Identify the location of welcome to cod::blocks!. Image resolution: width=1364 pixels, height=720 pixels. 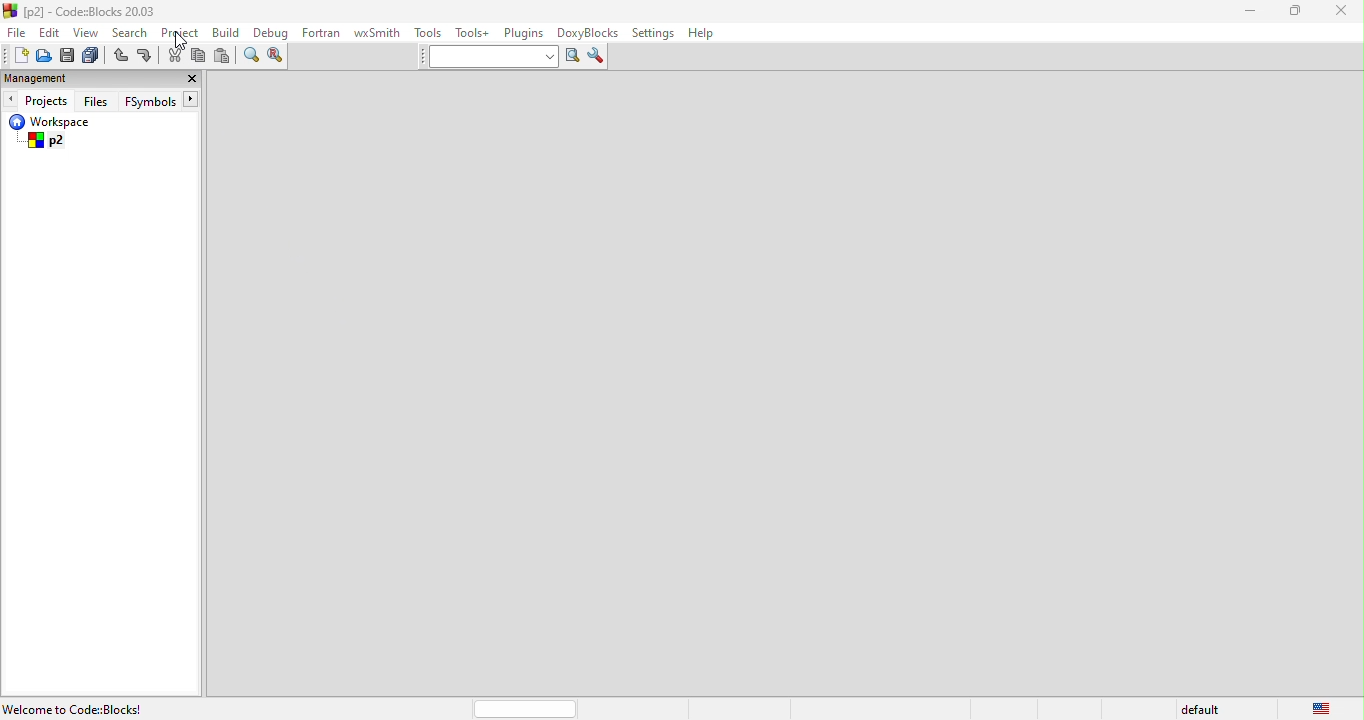
(98, 709).